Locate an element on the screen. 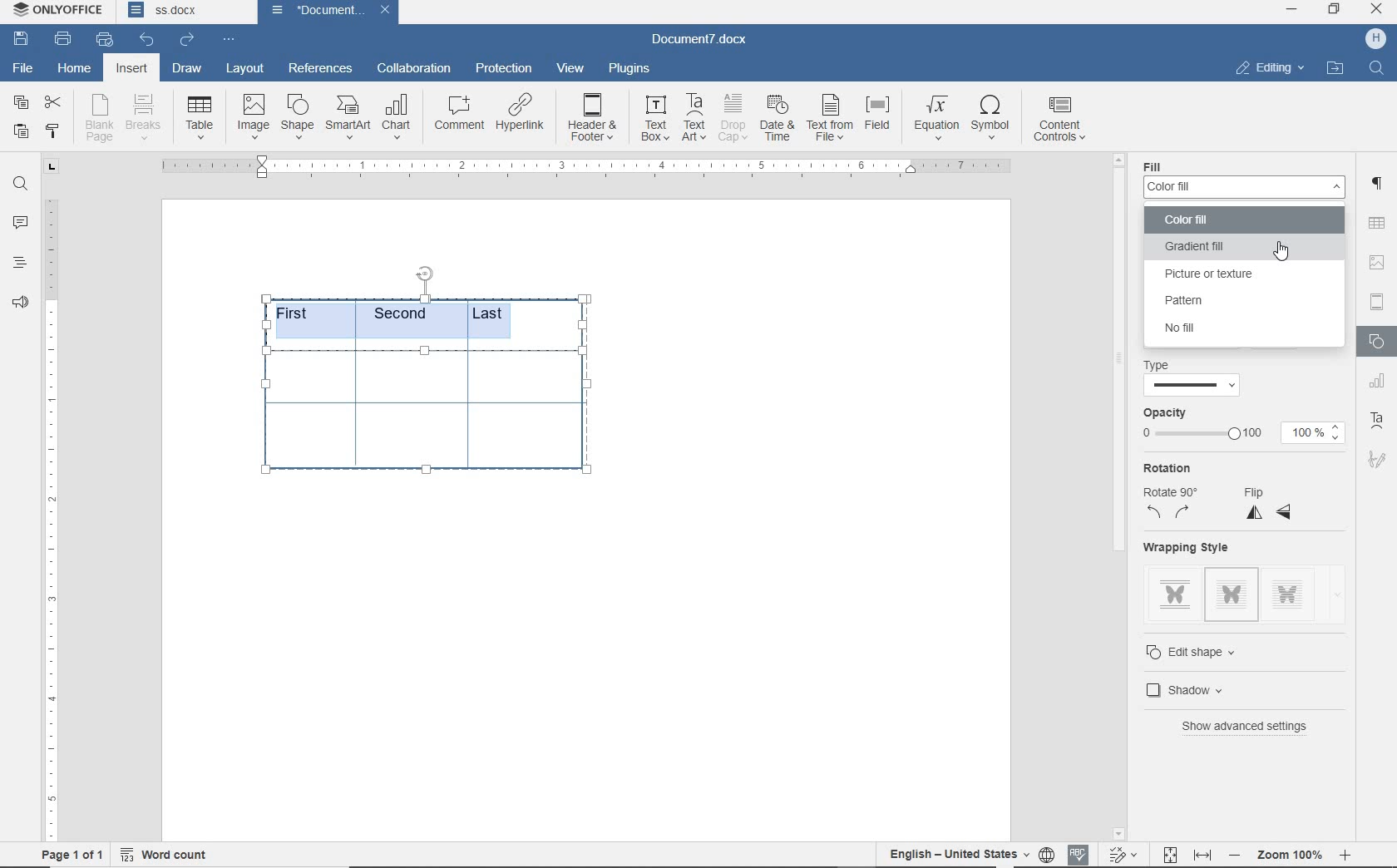 This screenshot has width=1397, height=868. plugins is located at coordinates (629, 67).